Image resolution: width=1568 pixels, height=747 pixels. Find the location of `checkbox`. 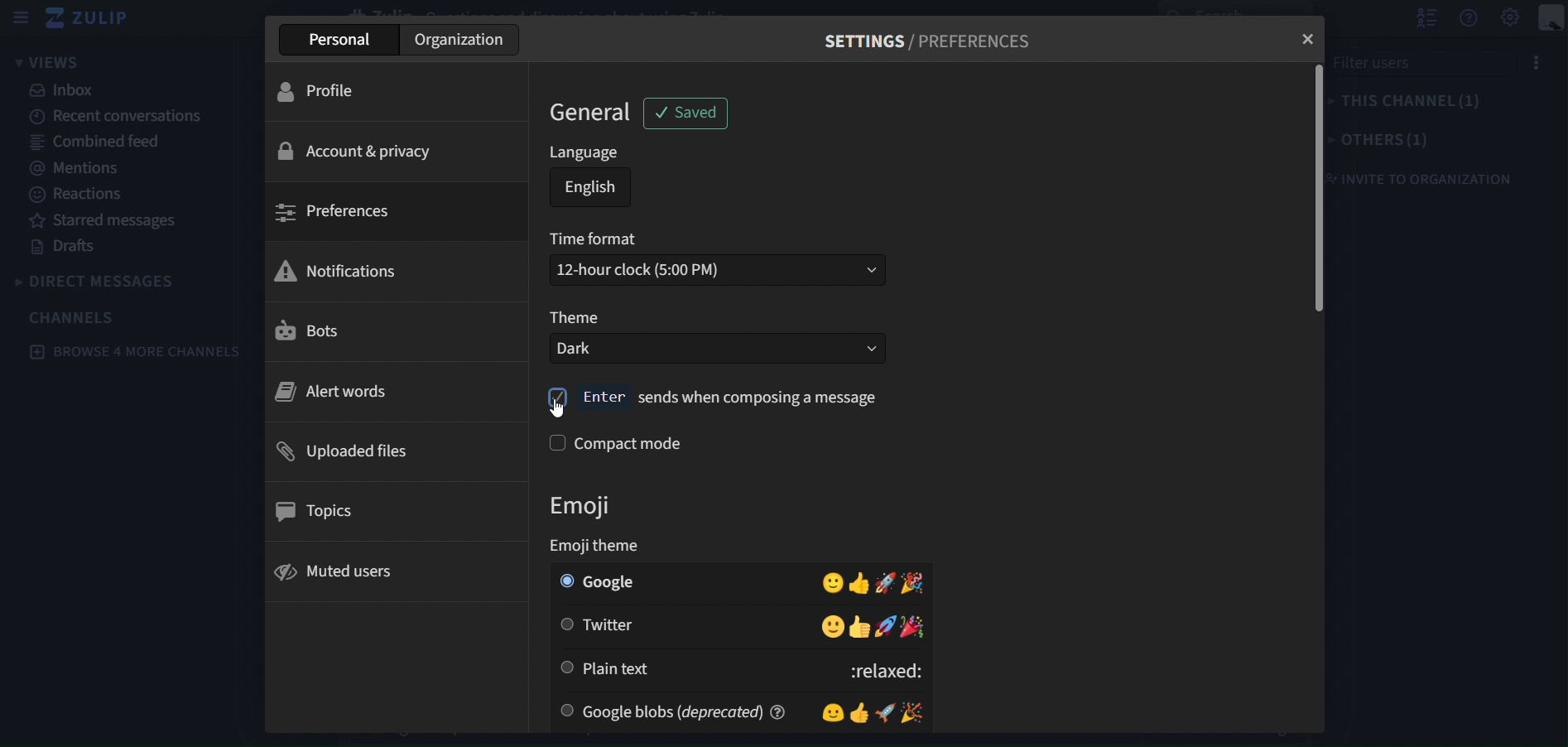

checkbox is located at coordinates (555, 443).